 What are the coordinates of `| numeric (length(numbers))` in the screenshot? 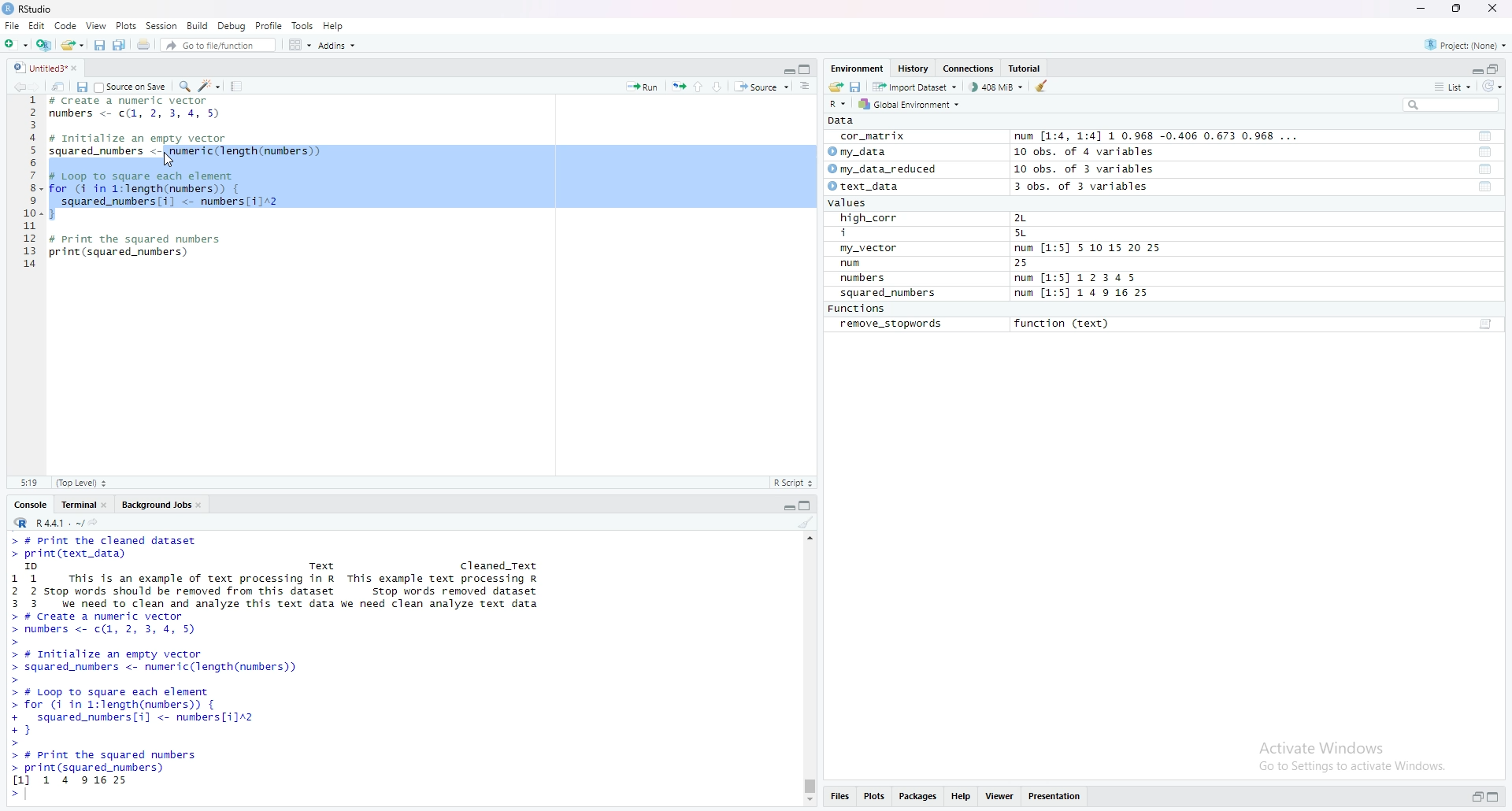 It's located at (247, 152).